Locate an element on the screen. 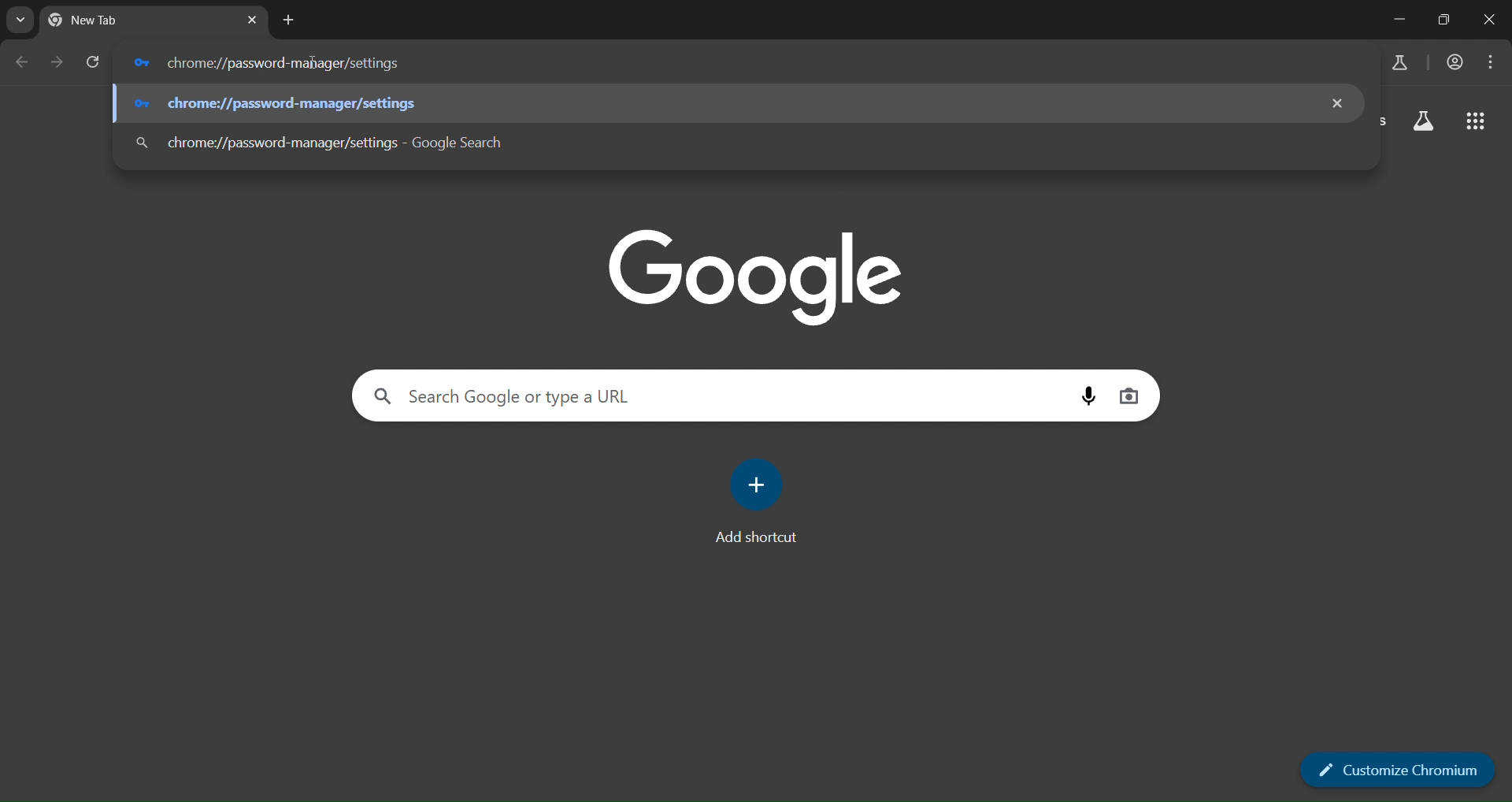 The image size is (1512, 802). google apps is located at coordinates (1476, 123).